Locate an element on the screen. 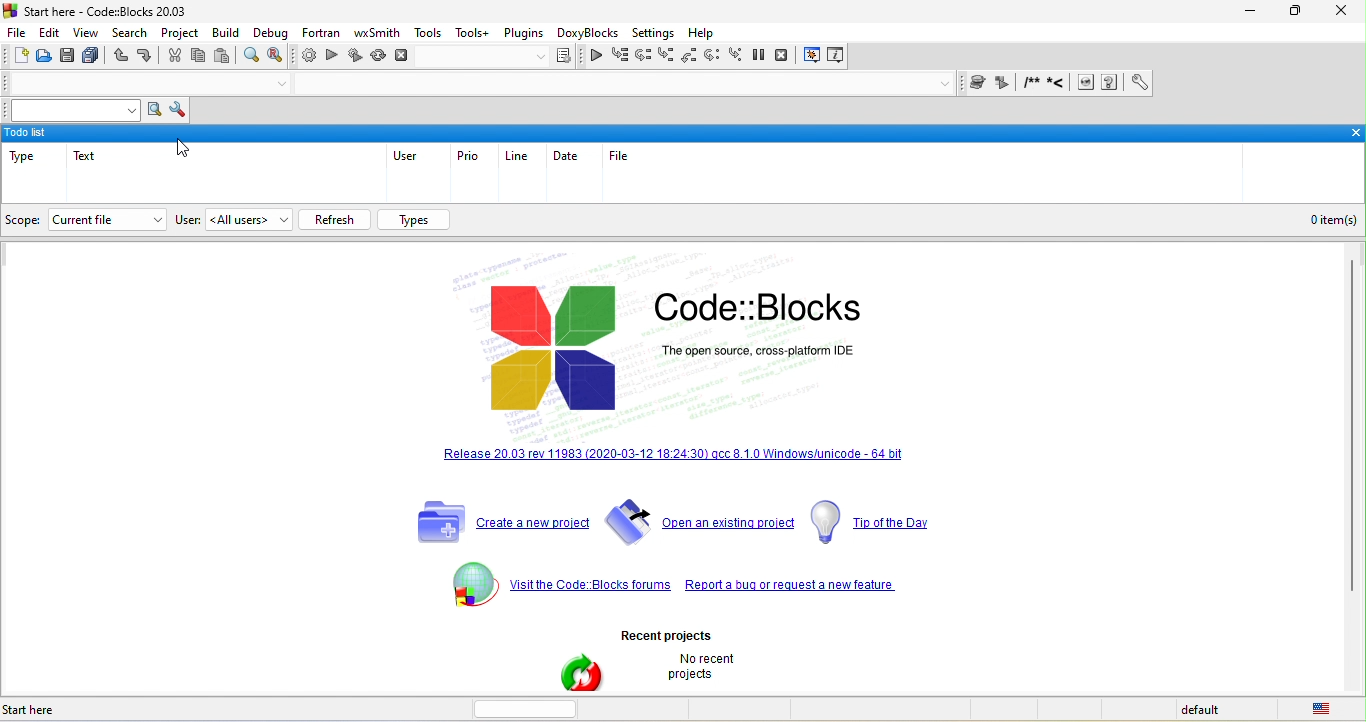  close is located at coordinates (1340, 12).